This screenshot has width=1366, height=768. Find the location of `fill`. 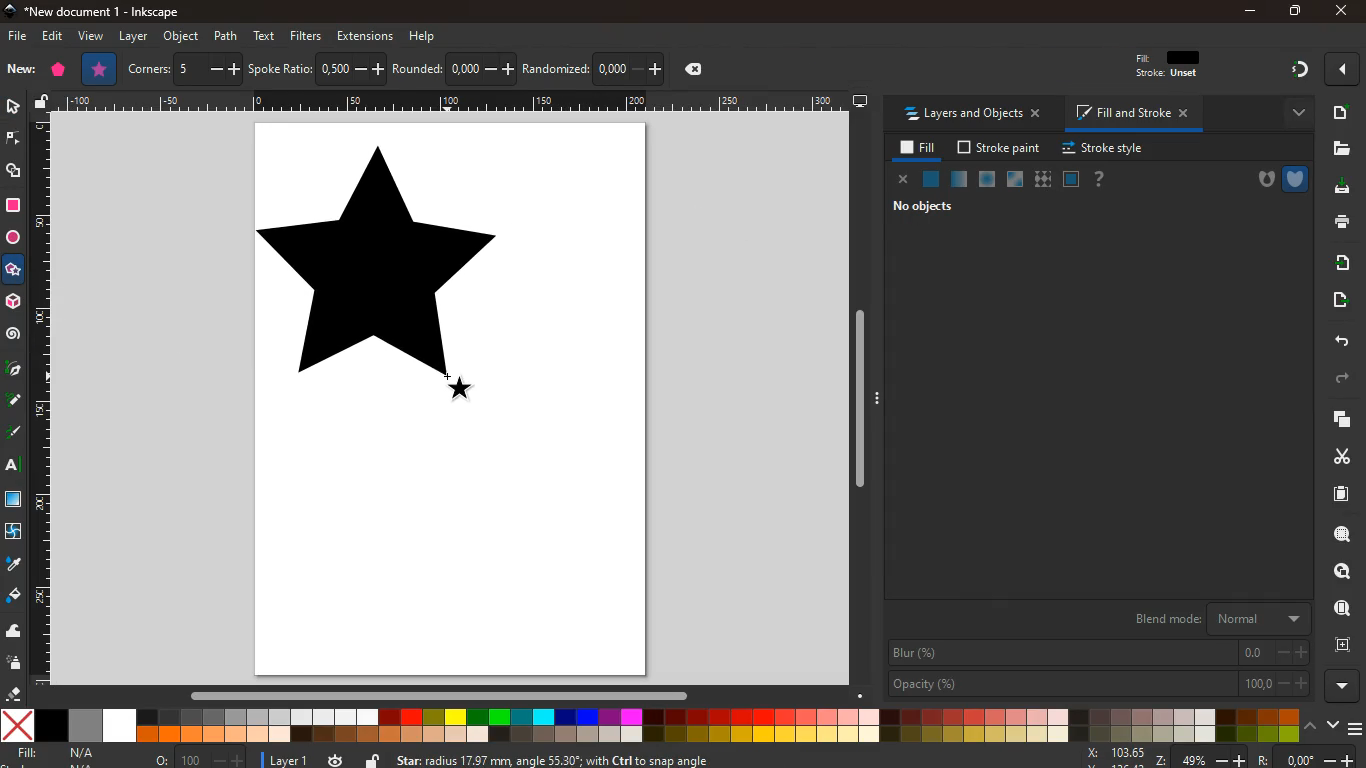

fill is located at coordinates (55, 753).